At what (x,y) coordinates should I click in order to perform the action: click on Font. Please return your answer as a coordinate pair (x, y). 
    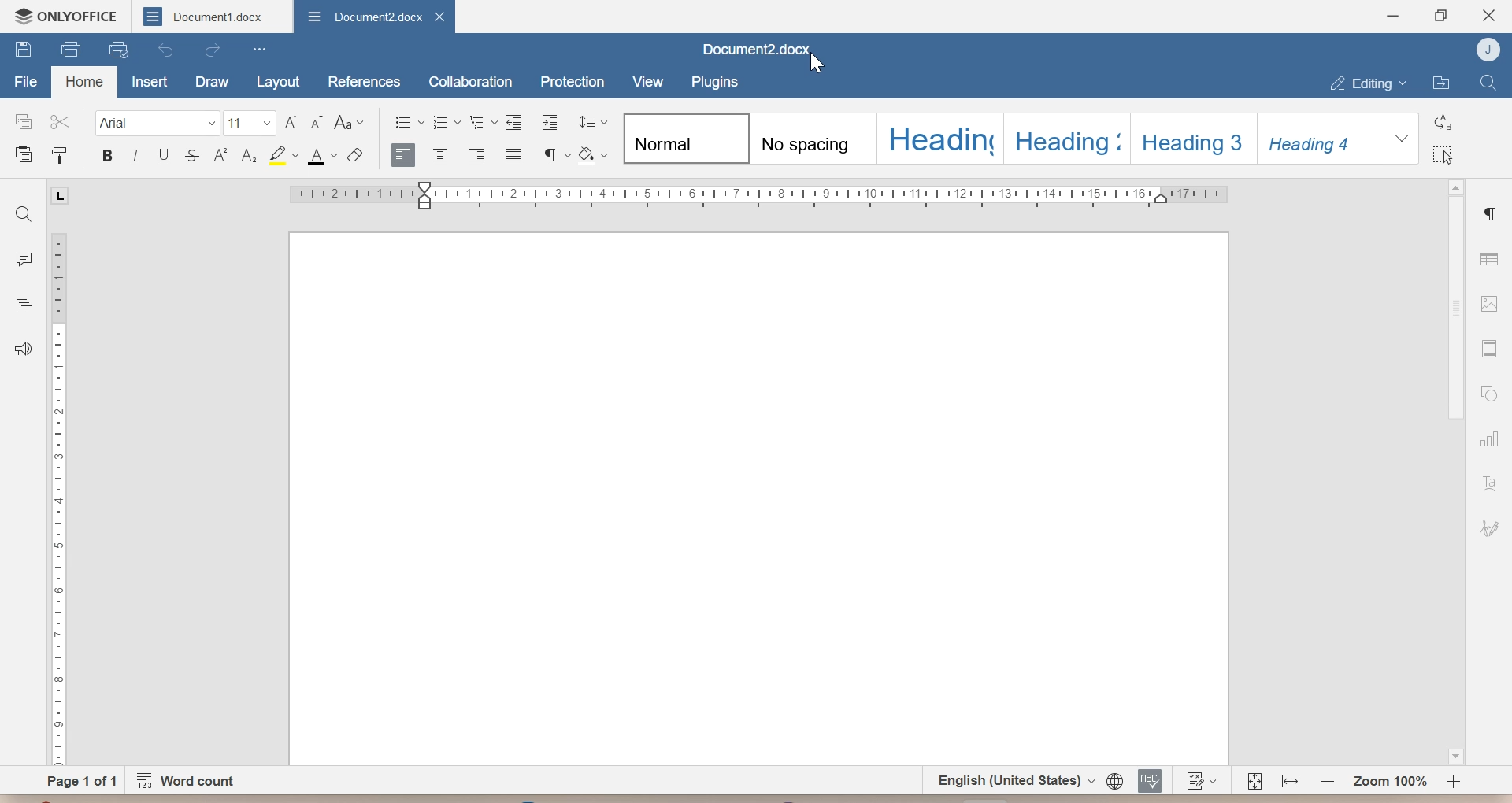
    Looking at the image, I should click on (157, 124).